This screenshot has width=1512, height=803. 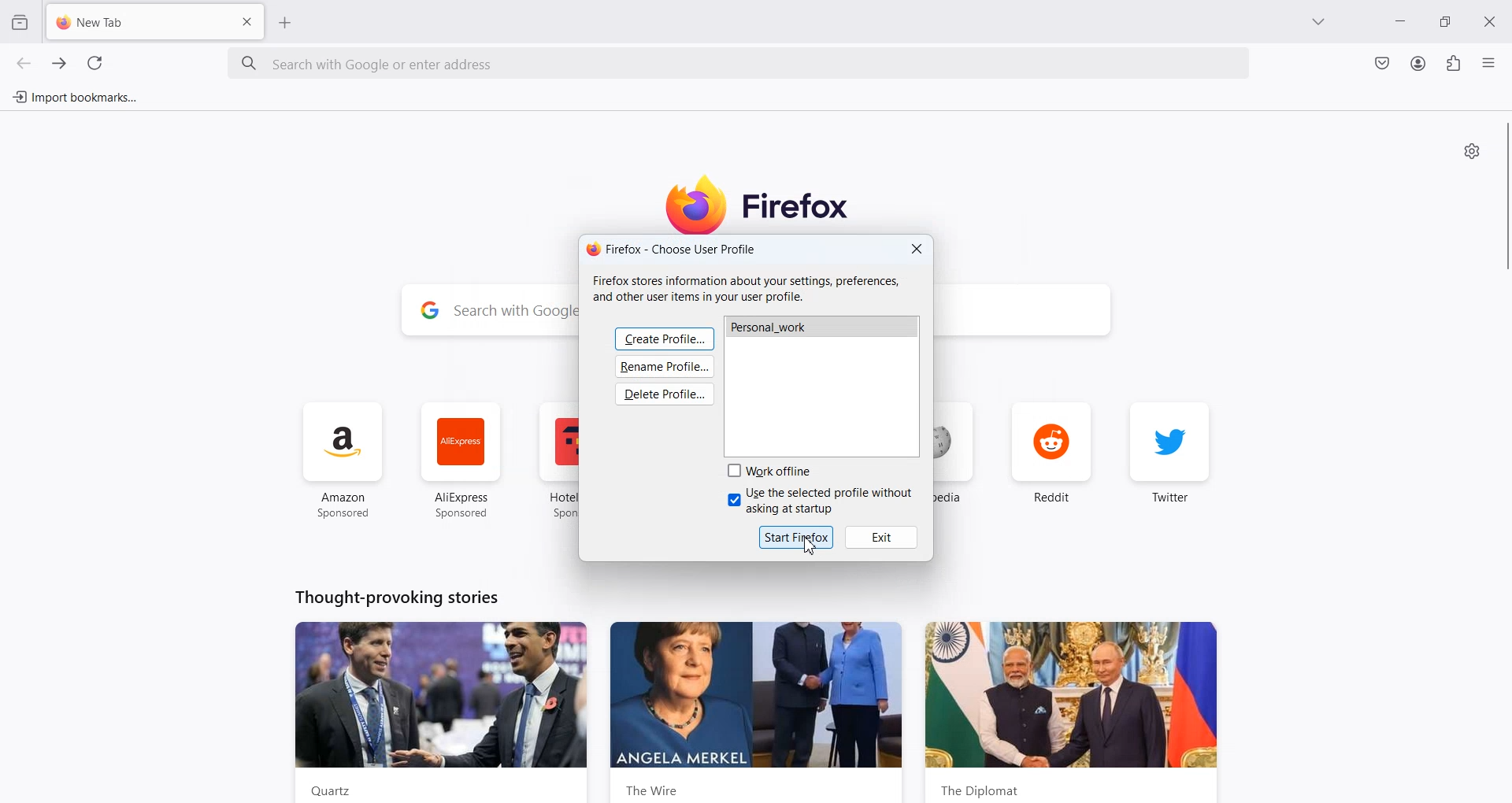 I want to click on Import bookmarks, so click(x=75, y=97).